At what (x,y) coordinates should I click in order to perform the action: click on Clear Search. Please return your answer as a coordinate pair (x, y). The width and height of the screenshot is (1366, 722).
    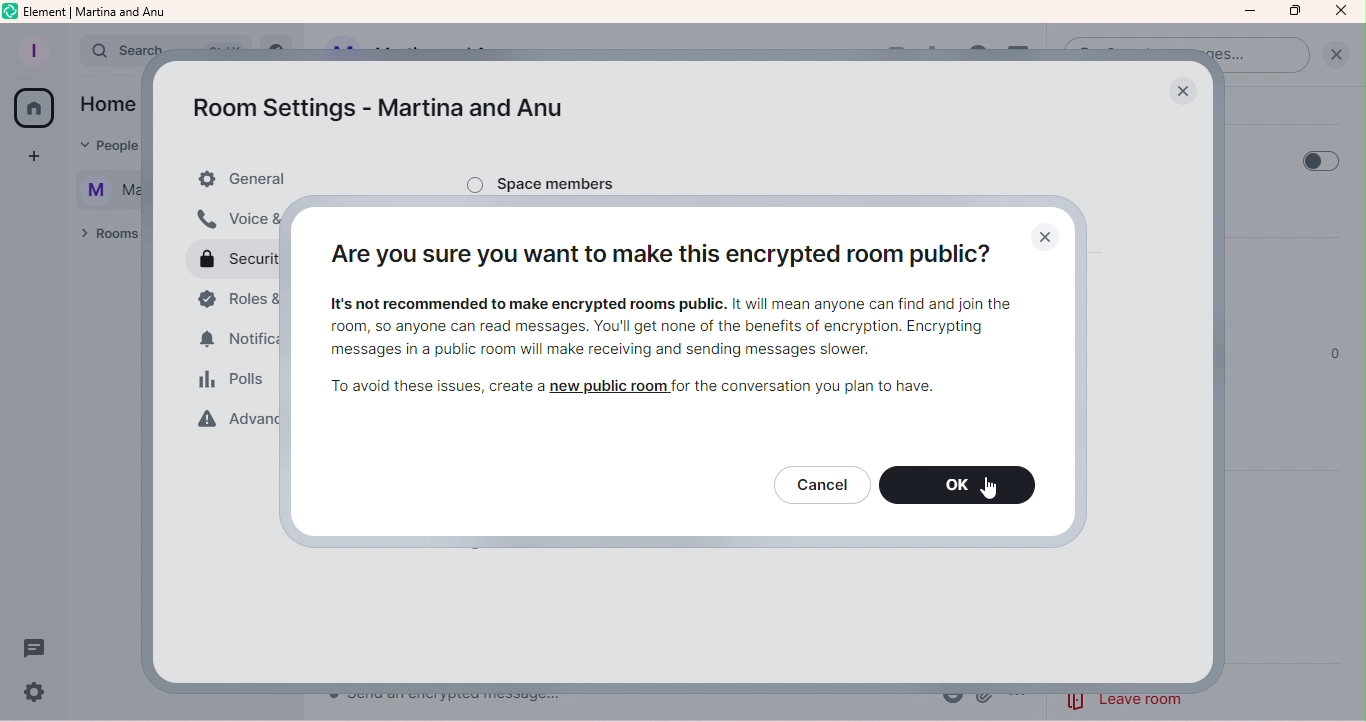
    Looking at the image, I should click on (1333, 60).